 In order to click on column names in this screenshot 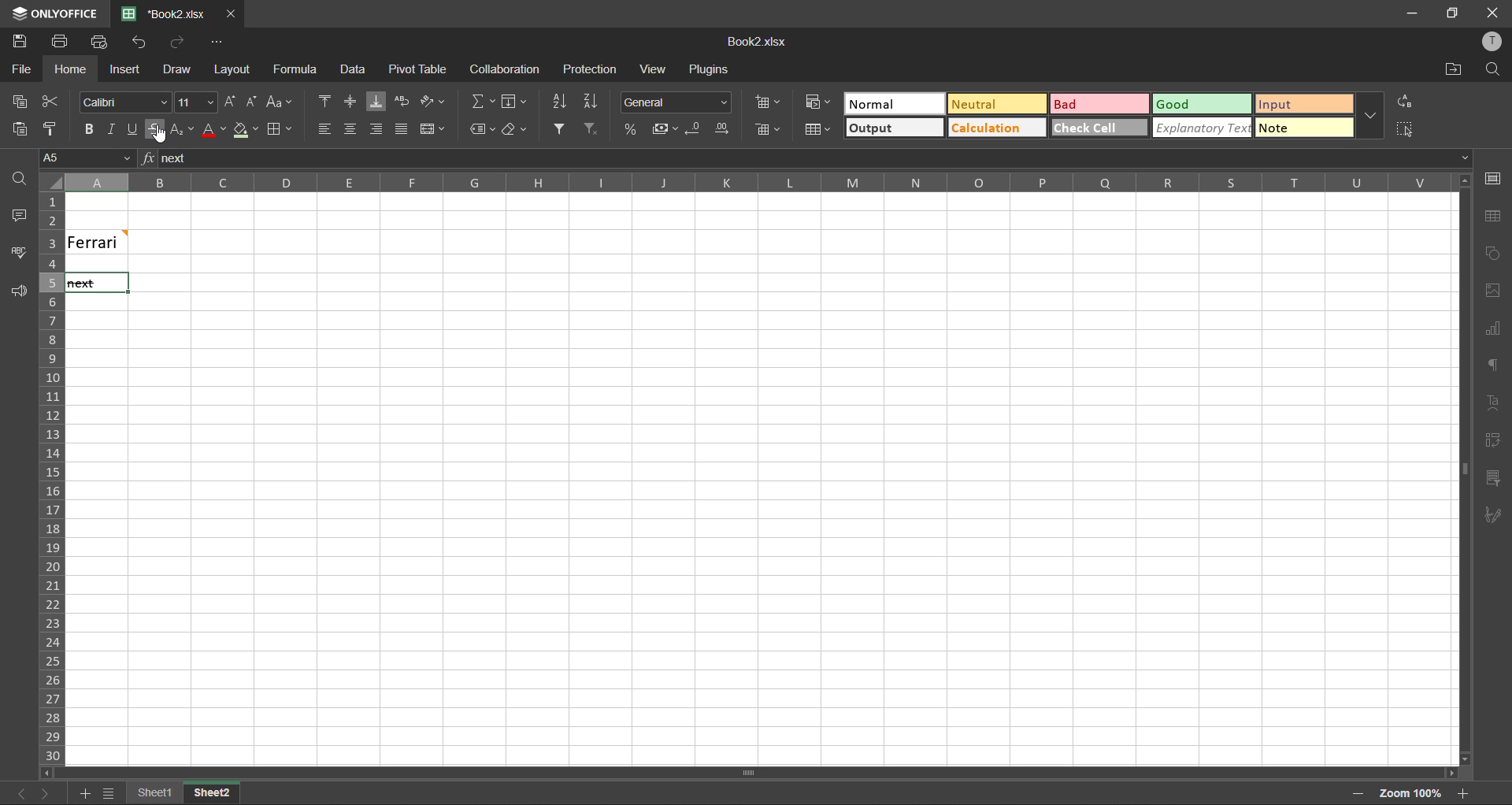, I will do `click(747, 182)`.